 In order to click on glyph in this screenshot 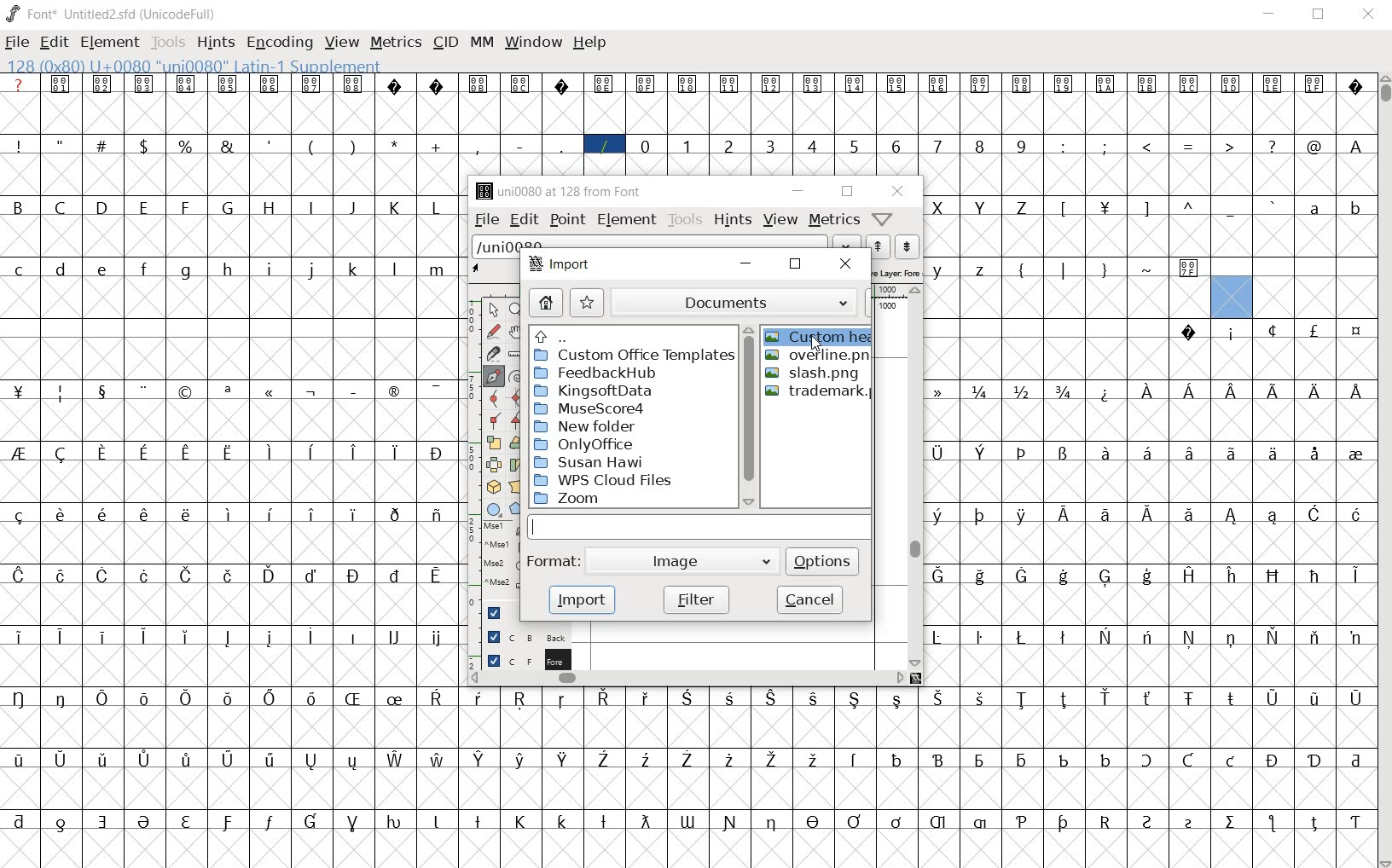, I will do `click(937, 208)`.